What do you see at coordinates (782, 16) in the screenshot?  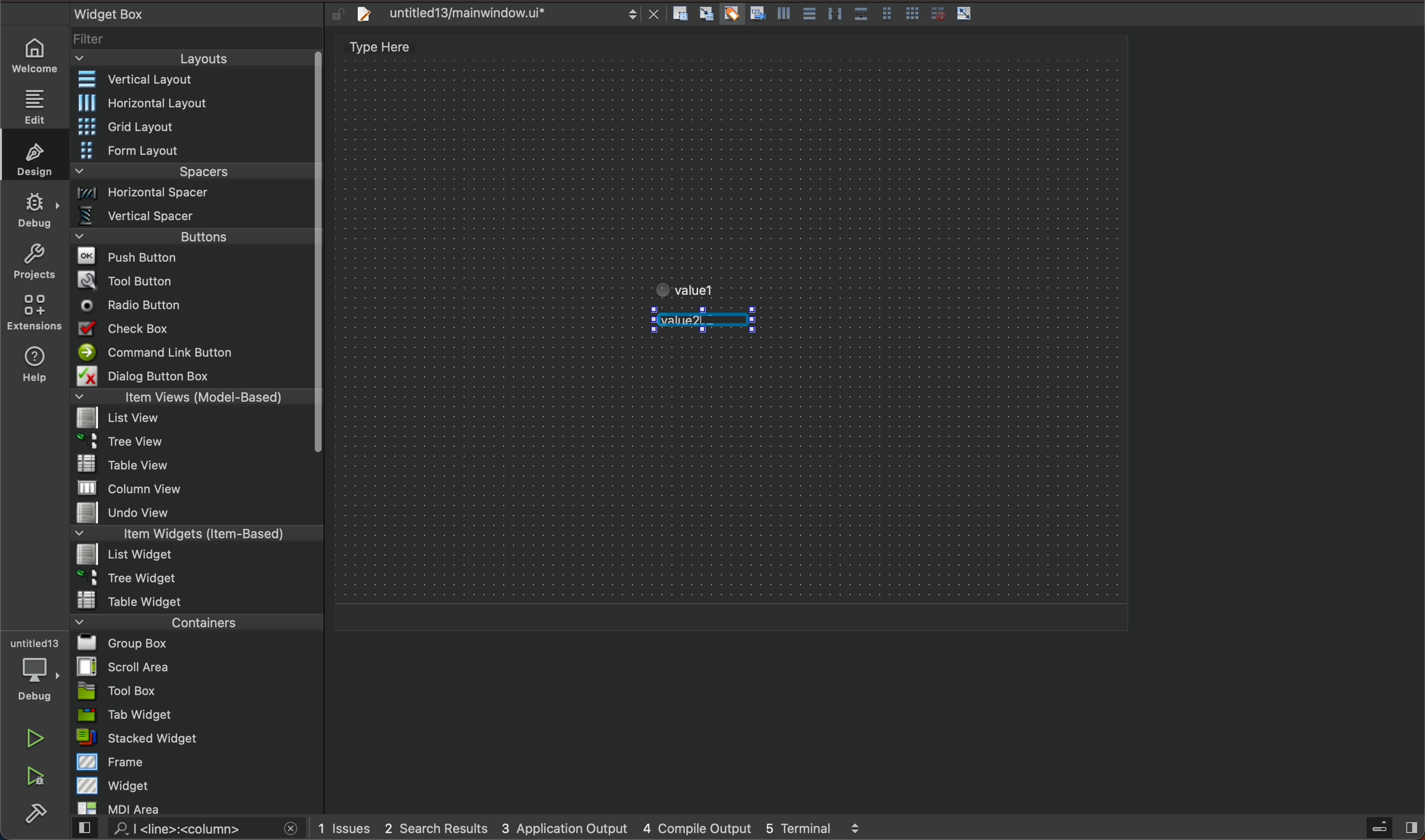 I see `` at bounding box center [782, 16].